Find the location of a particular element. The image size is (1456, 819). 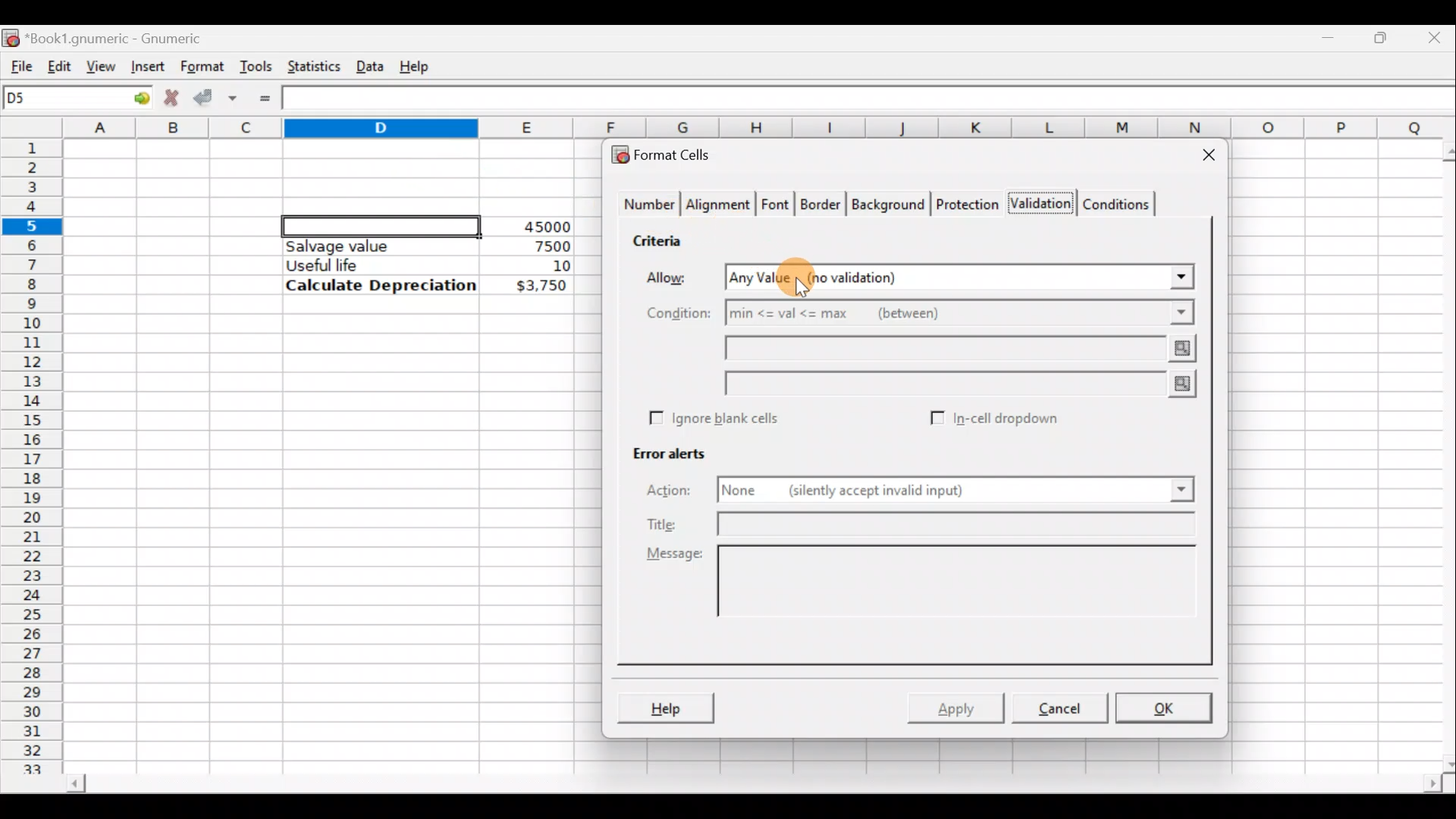

Close is located at coordinates (1202, 158).